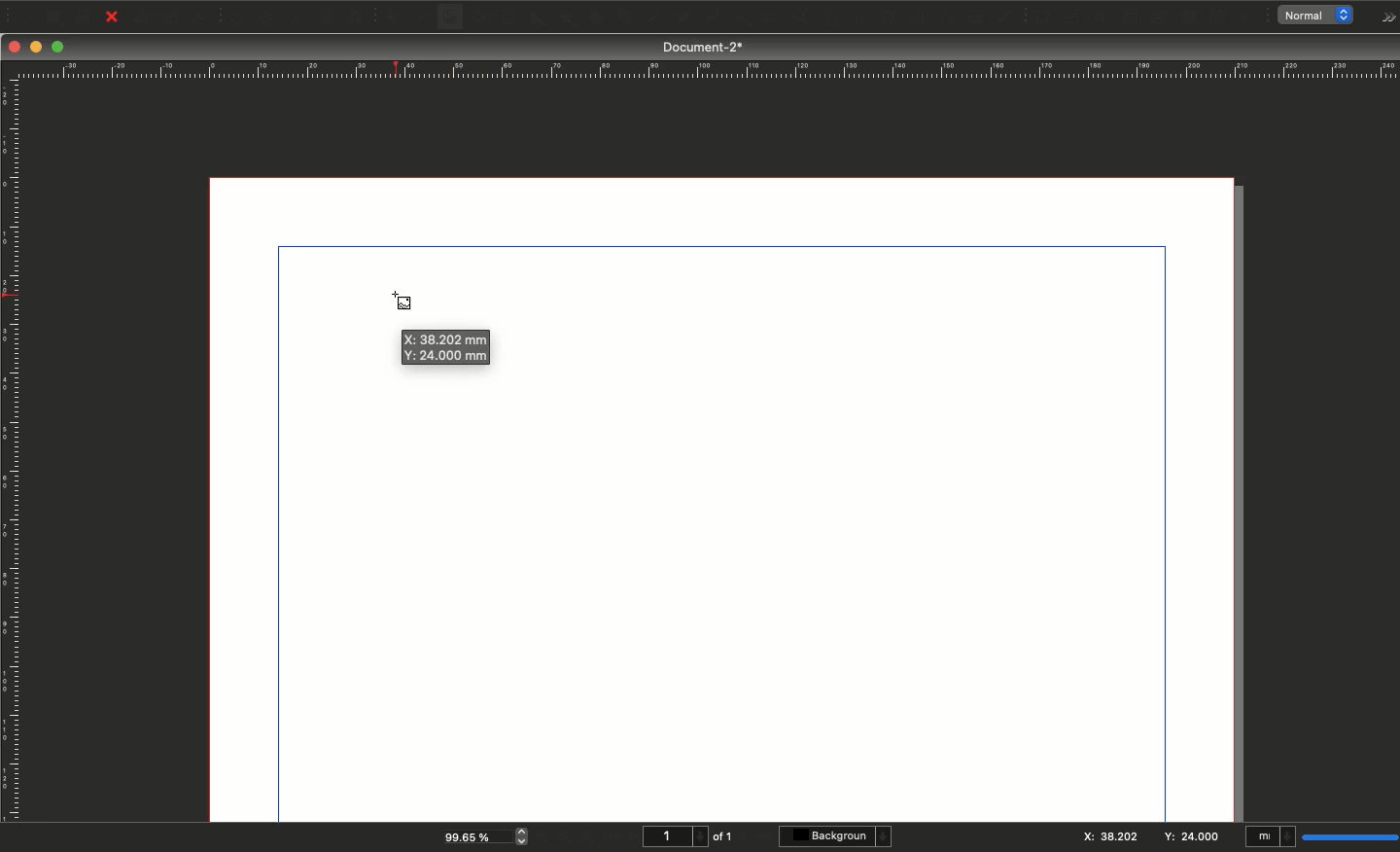  I want to click on Select item, so click(393, 18).